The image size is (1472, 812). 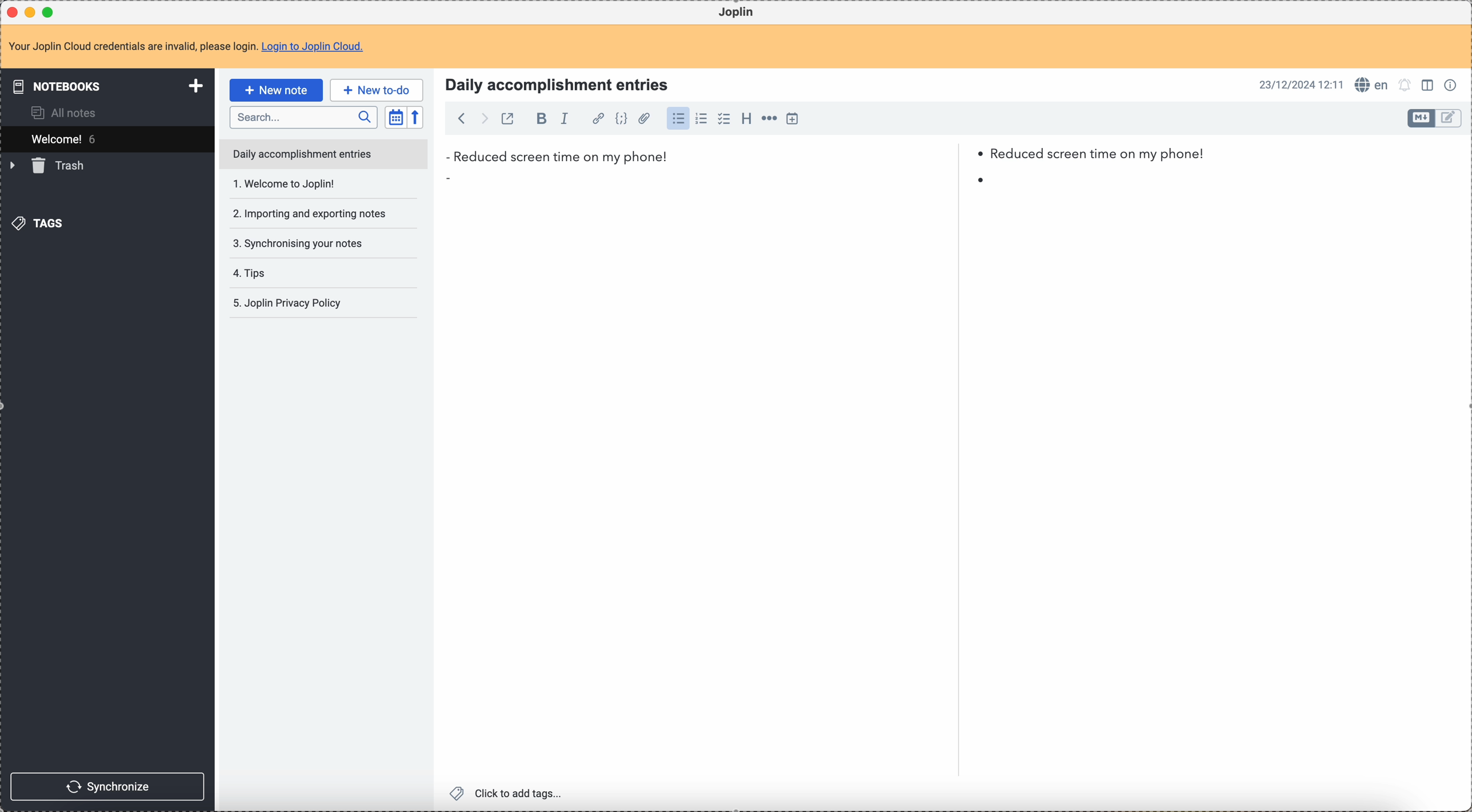 I want to click on bulleted list, so click(x=678, y=120).